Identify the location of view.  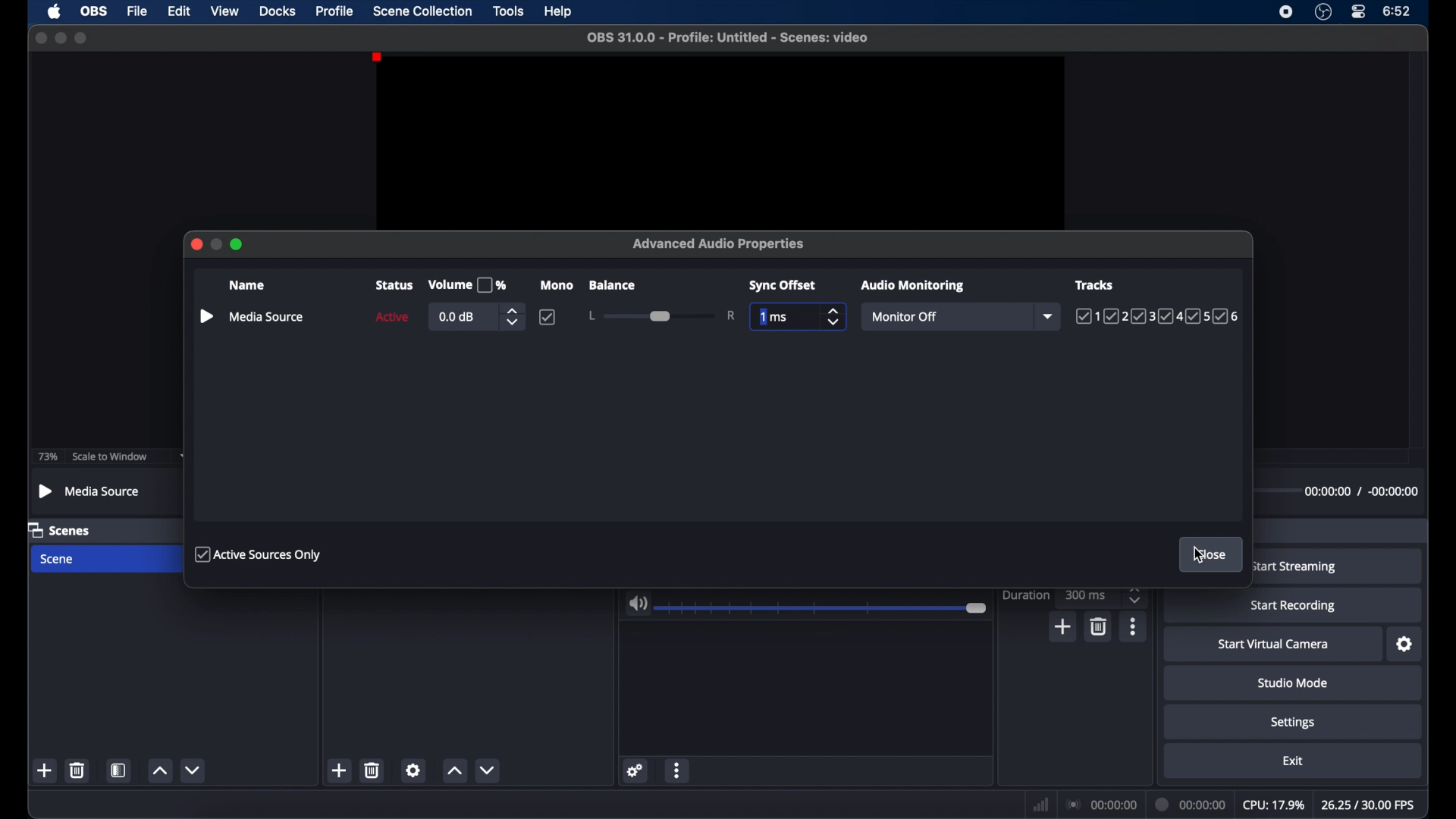
(224, 11).